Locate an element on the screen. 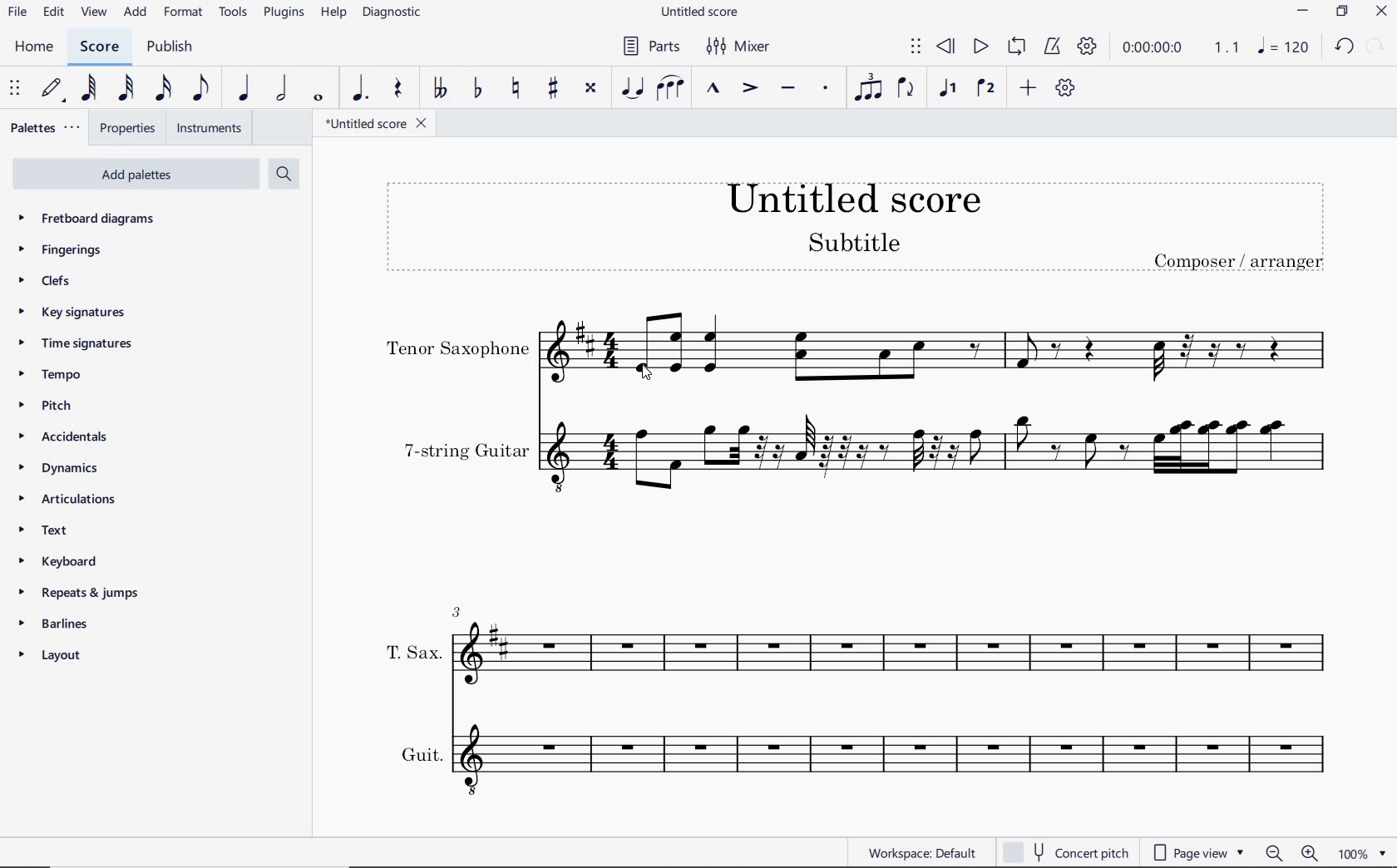 The image size is (1397, 868). SELECT TO MOVE is located at coordinates (916, 45).